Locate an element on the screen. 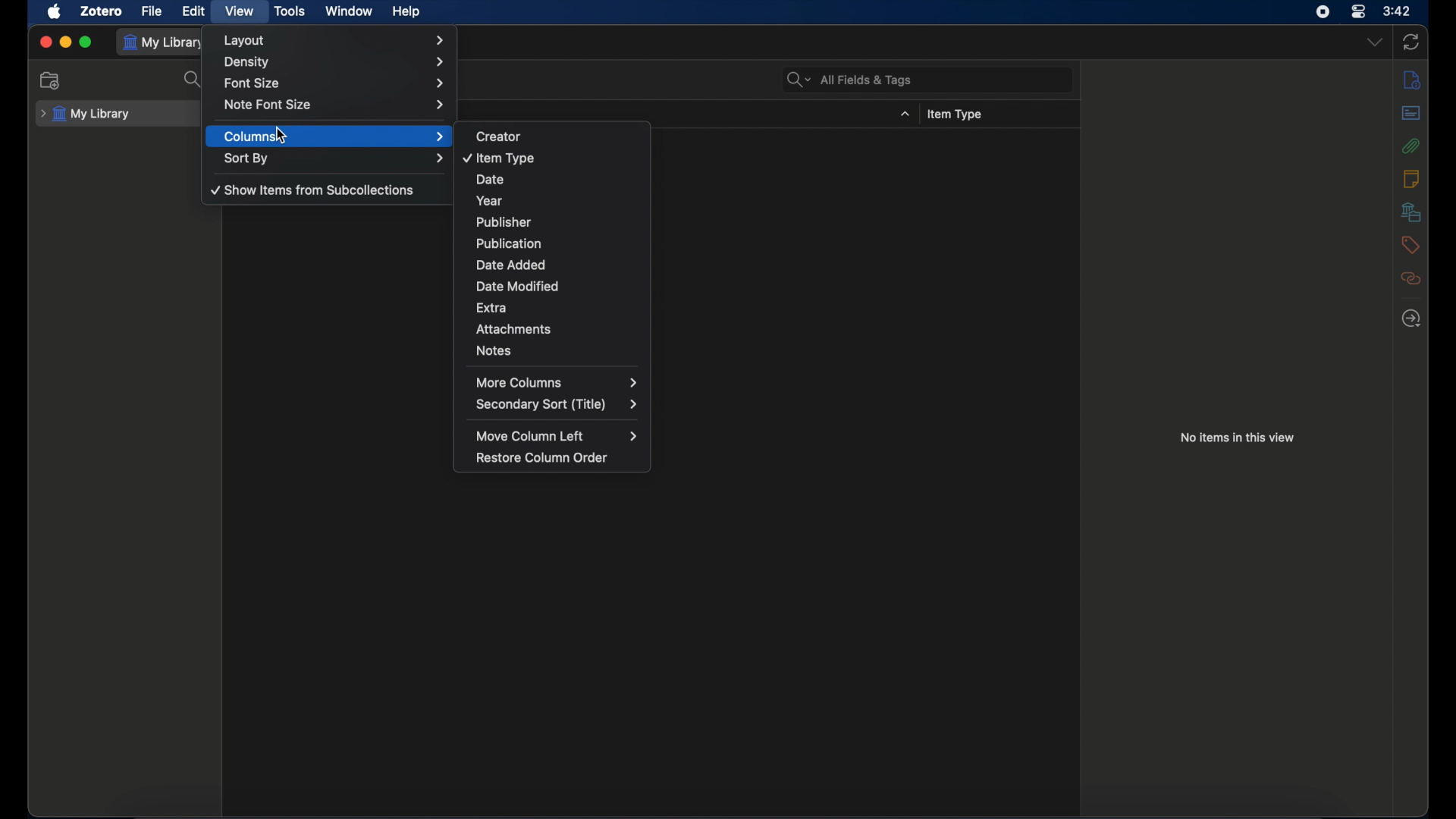  my library is located at coordinates (85, 114).